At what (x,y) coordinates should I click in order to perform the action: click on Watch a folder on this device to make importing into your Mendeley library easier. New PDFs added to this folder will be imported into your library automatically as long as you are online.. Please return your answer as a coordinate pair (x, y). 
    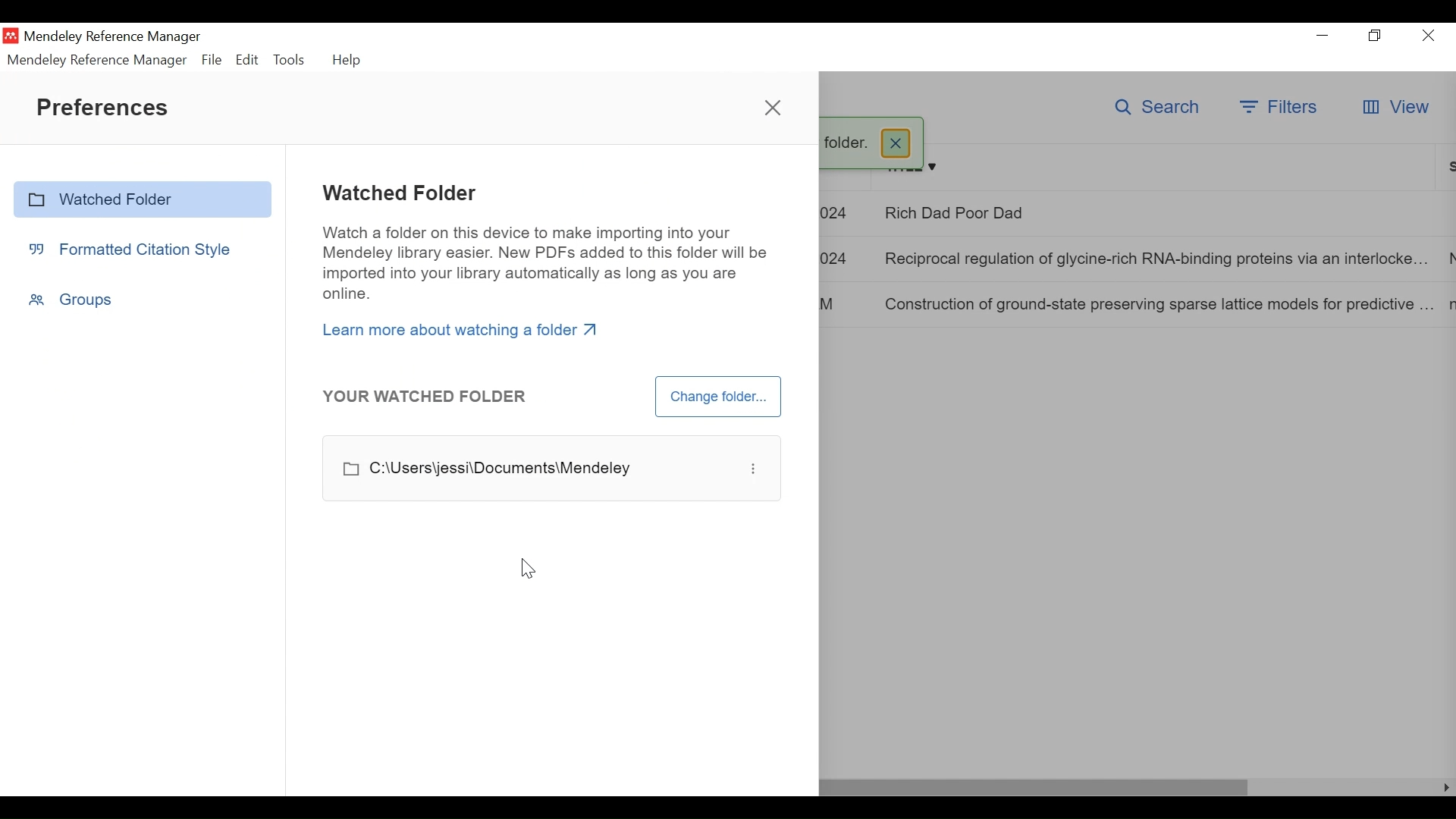
    Looking at the image, I should click on (543, 265).